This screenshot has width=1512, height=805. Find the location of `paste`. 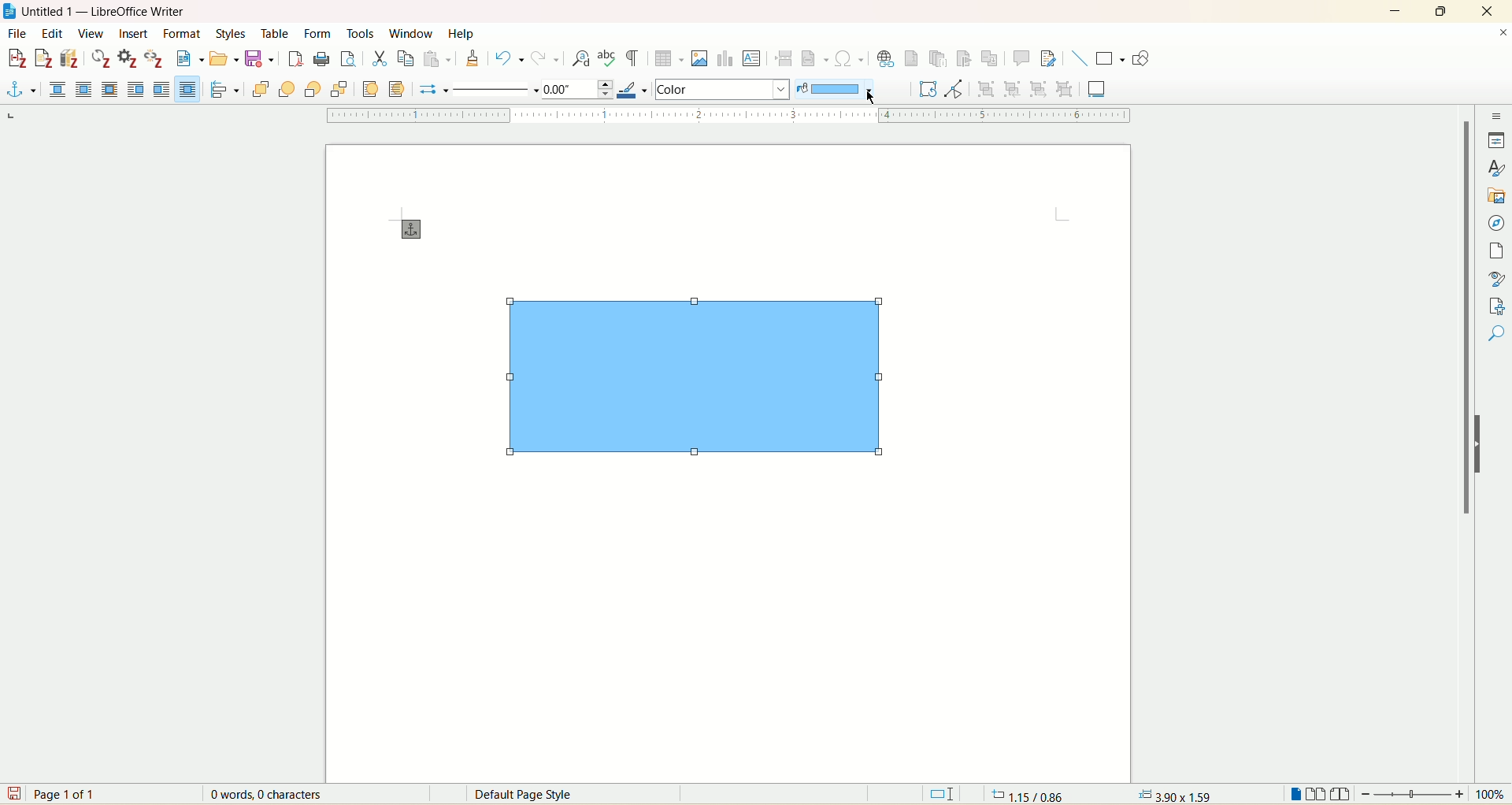

paste is located at coordinates (438, 58).